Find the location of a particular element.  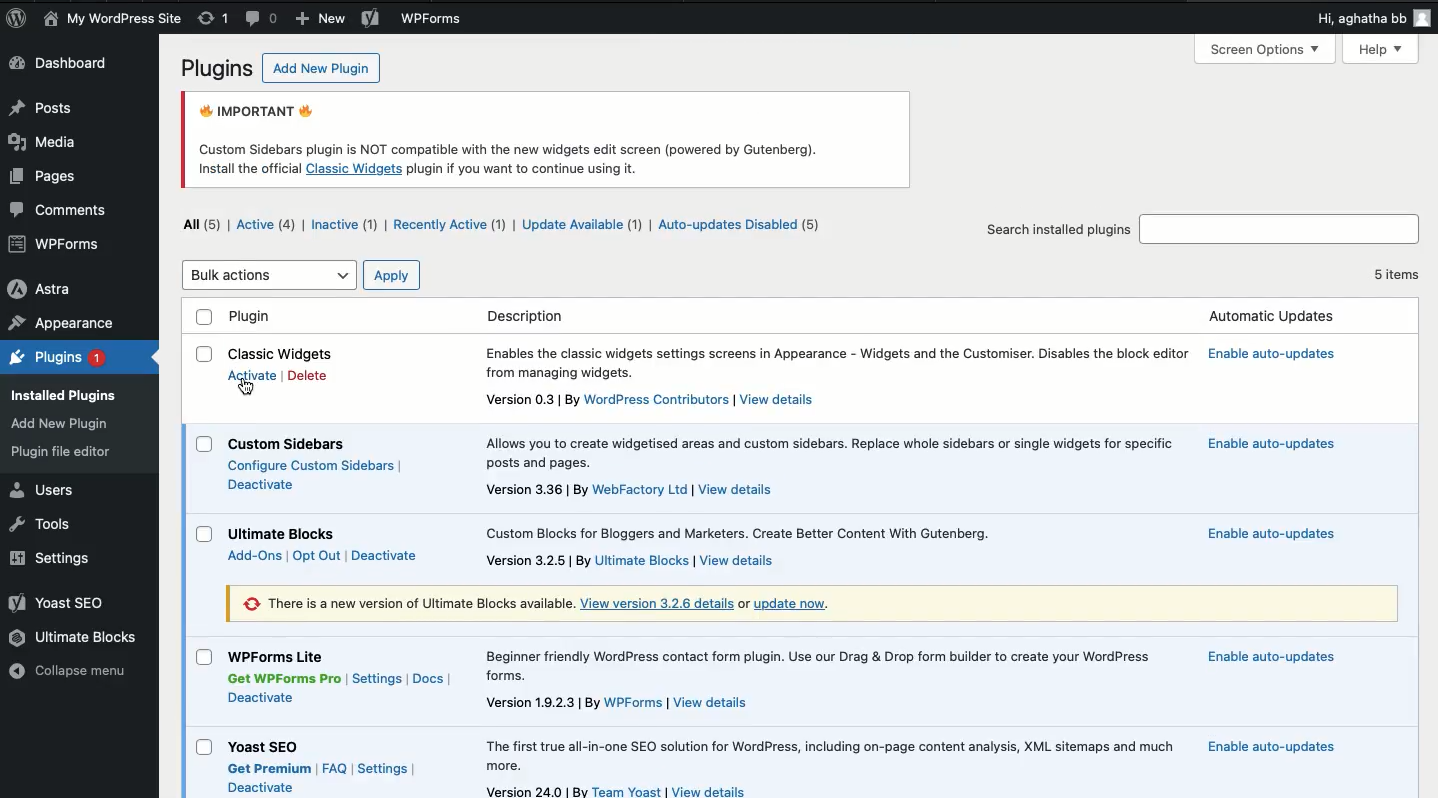

view details is located at coordinates (712, 790).